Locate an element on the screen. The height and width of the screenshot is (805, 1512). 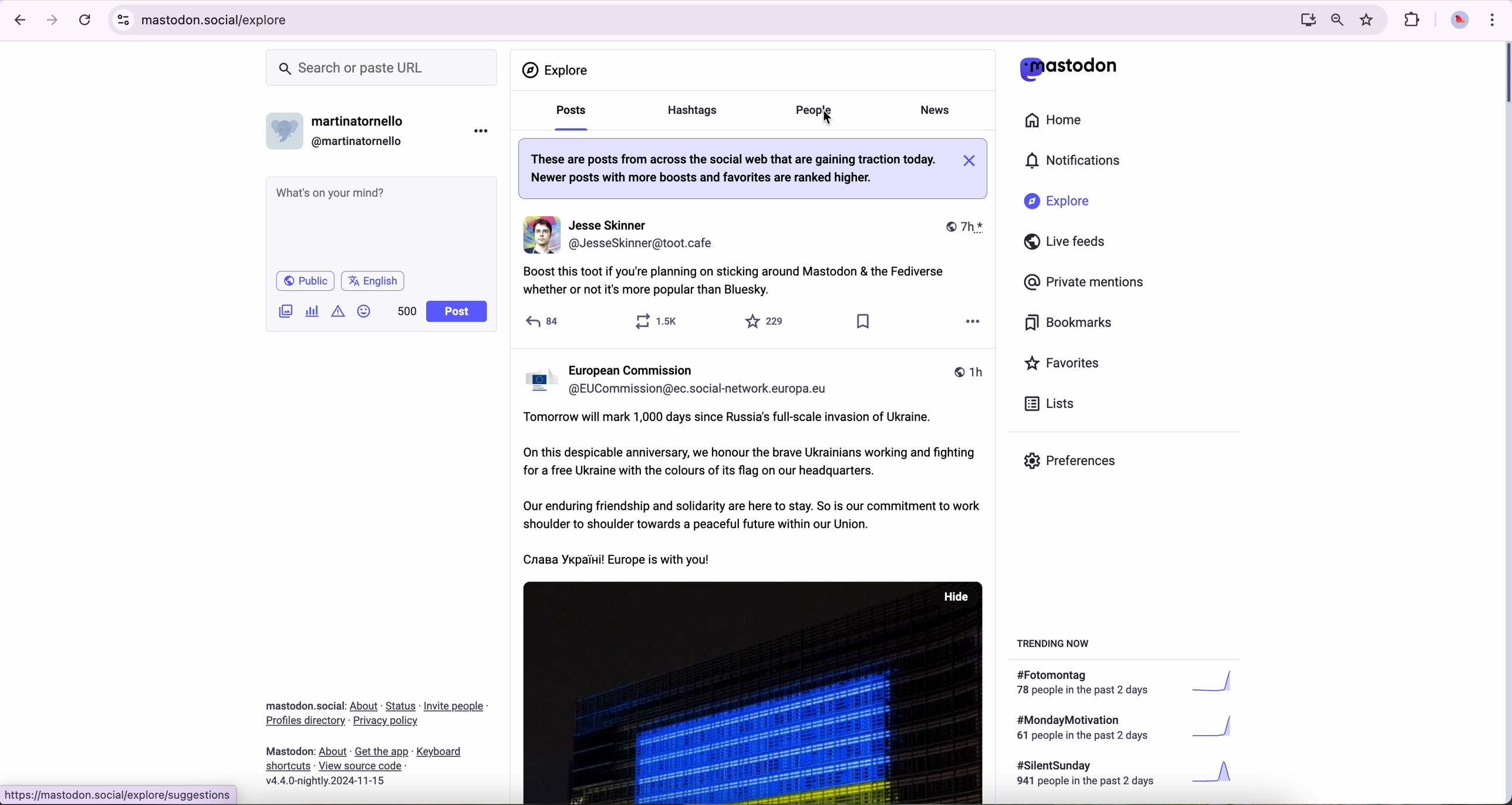
matodon logo is located at coordinates (1069, 69).